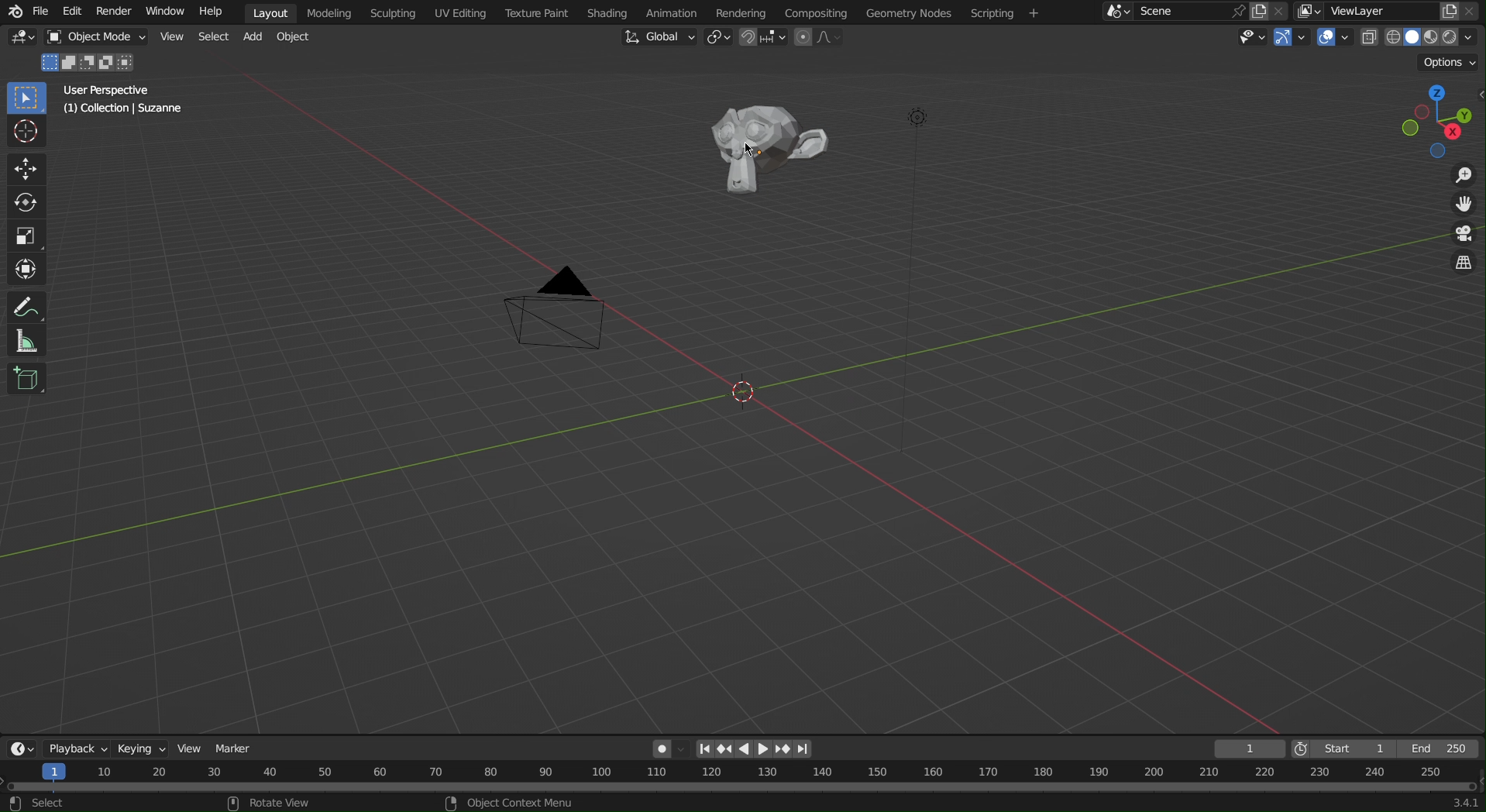 The height and width of the screenshot is (812, 1486). Describe the element at coordinates (143, 750) in the screenshot. I see `Keying` at that location.